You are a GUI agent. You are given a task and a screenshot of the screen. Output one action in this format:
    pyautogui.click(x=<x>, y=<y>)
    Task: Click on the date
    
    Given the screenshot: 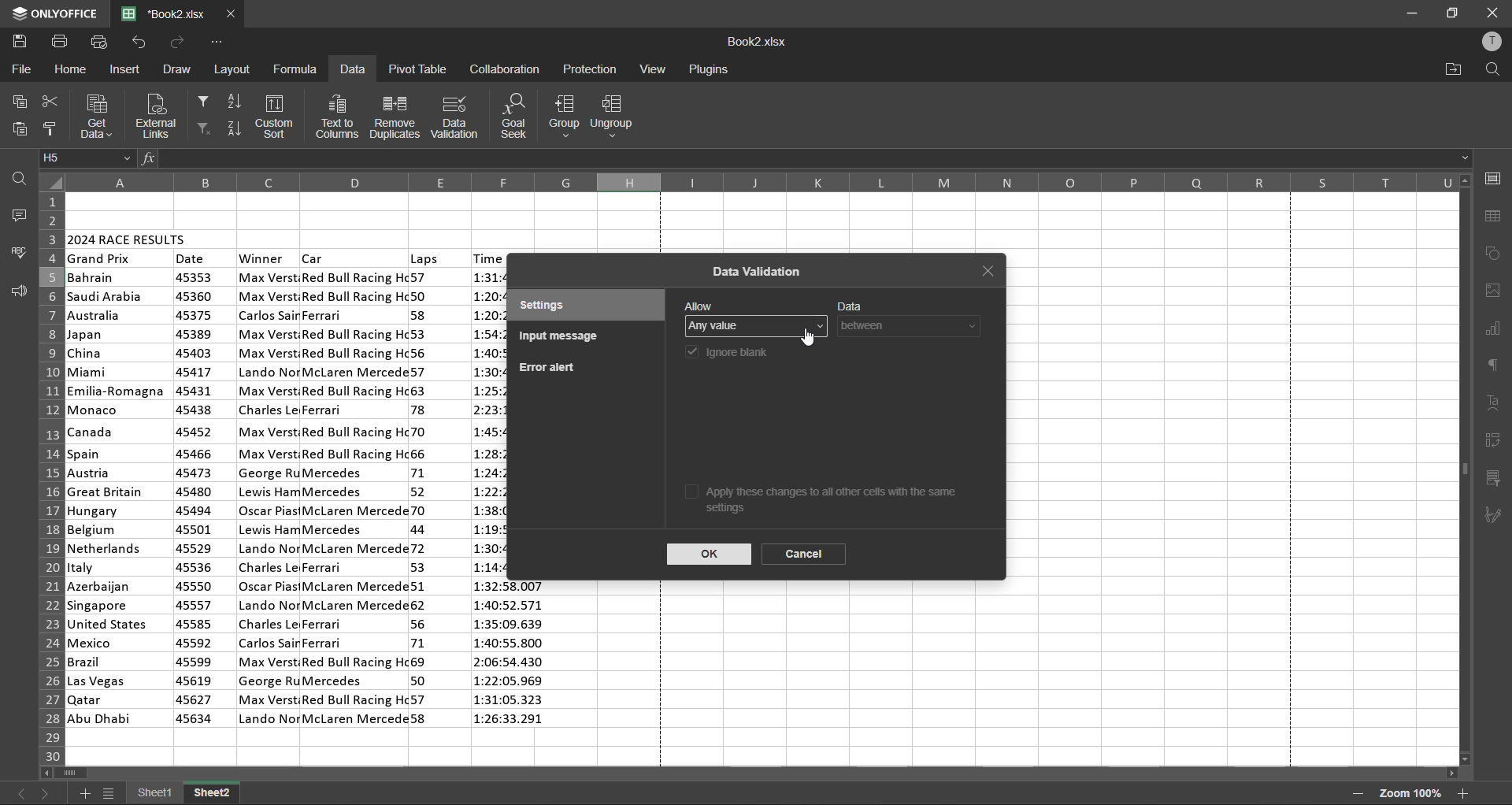 What is the action you would take?
    pyautogui.click(x=195, y=499)
    